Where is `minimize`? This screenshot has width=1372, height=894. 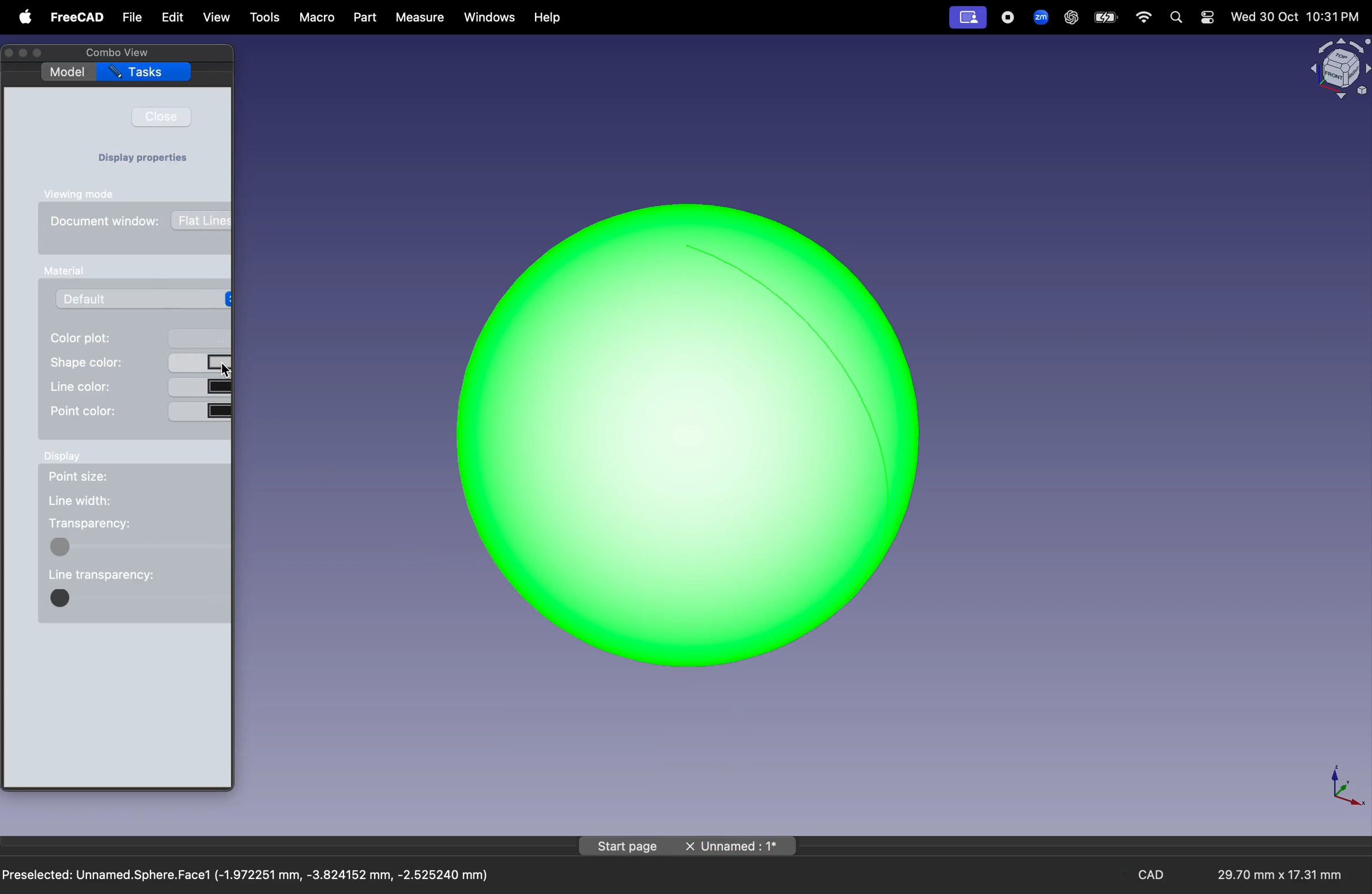 minimize is located at coordinates (25, 53).